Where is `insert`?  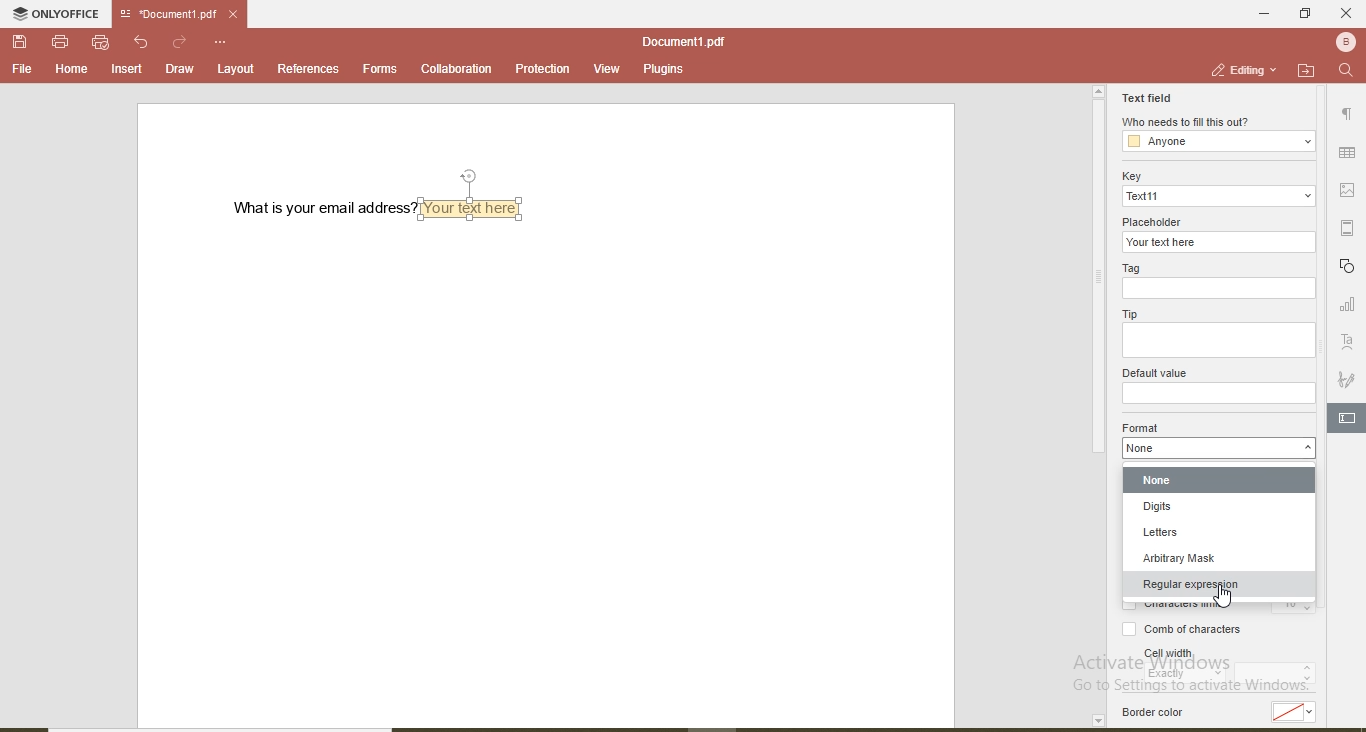 insert is located at coordinates (128, 70).